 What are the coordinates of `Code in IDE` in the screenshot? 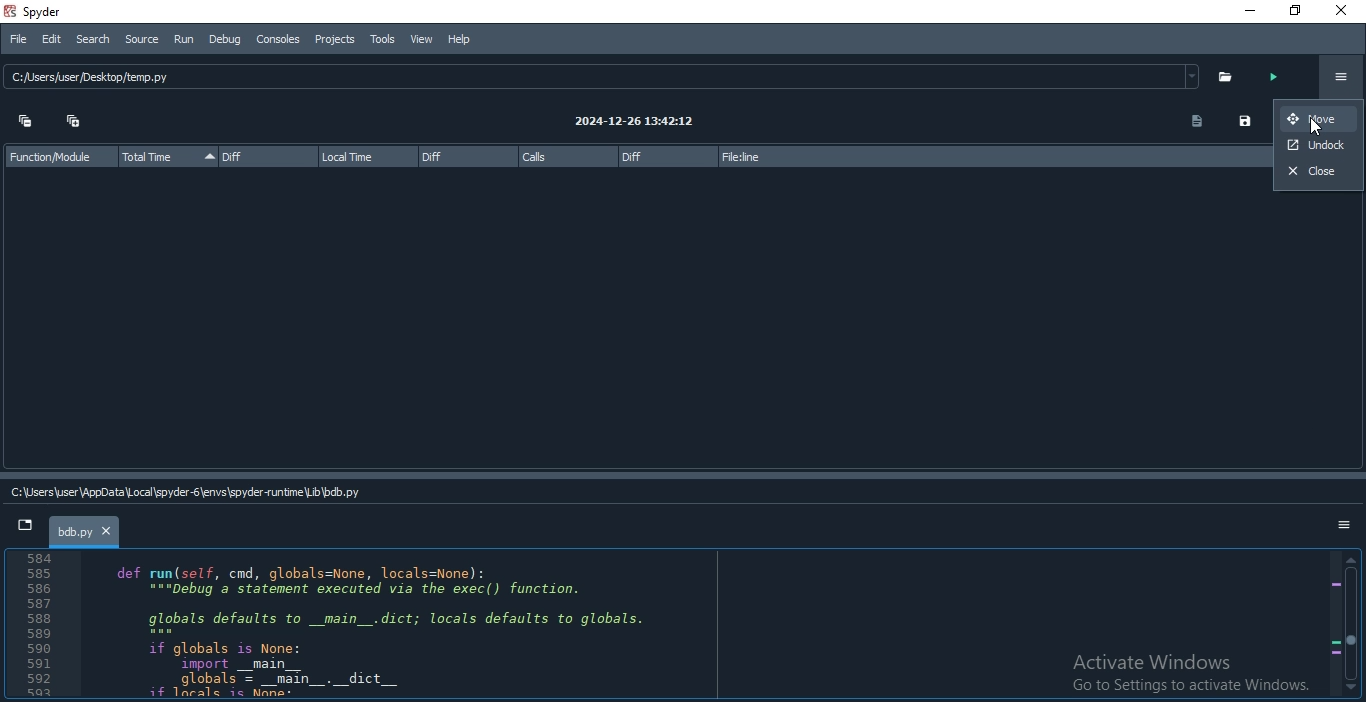 It's located at (670, 625).